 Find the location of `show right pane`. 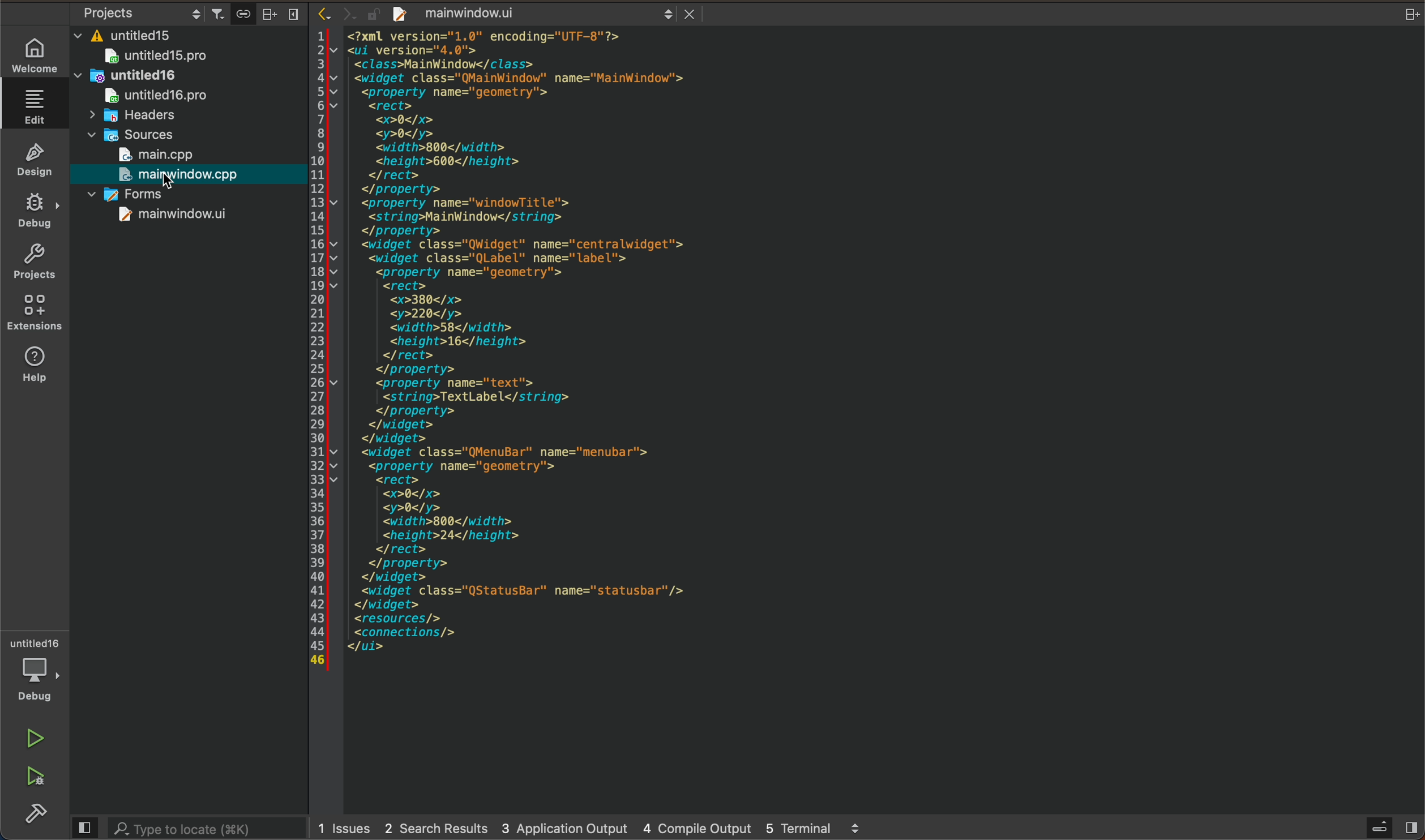

show right pane is located at coordinates (1414, 829).